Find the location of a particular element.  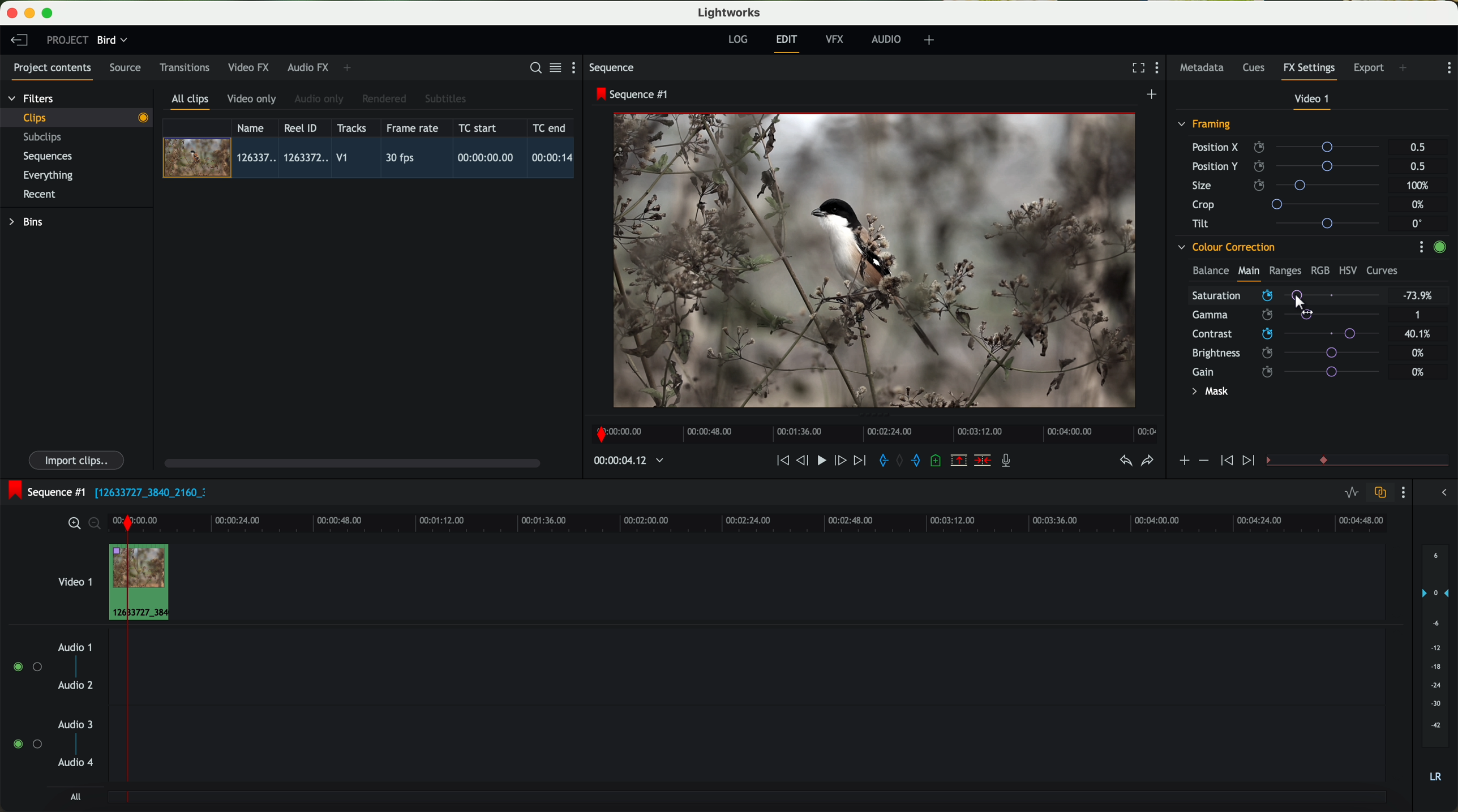

video 1 is located at coordinates (74, 579).